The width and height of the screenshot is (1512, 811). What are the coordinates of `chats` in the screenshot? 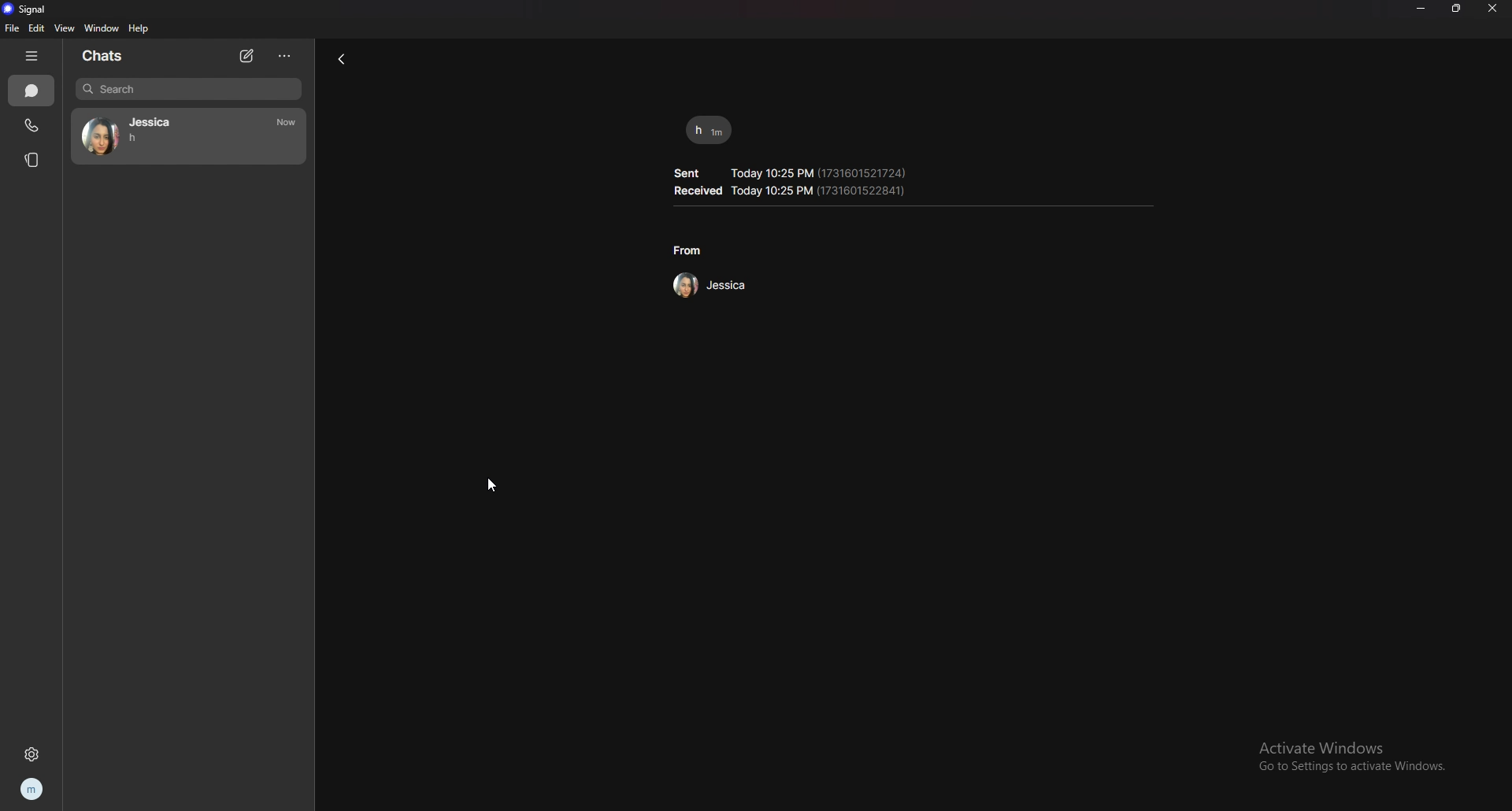 It's located at (106, 57).